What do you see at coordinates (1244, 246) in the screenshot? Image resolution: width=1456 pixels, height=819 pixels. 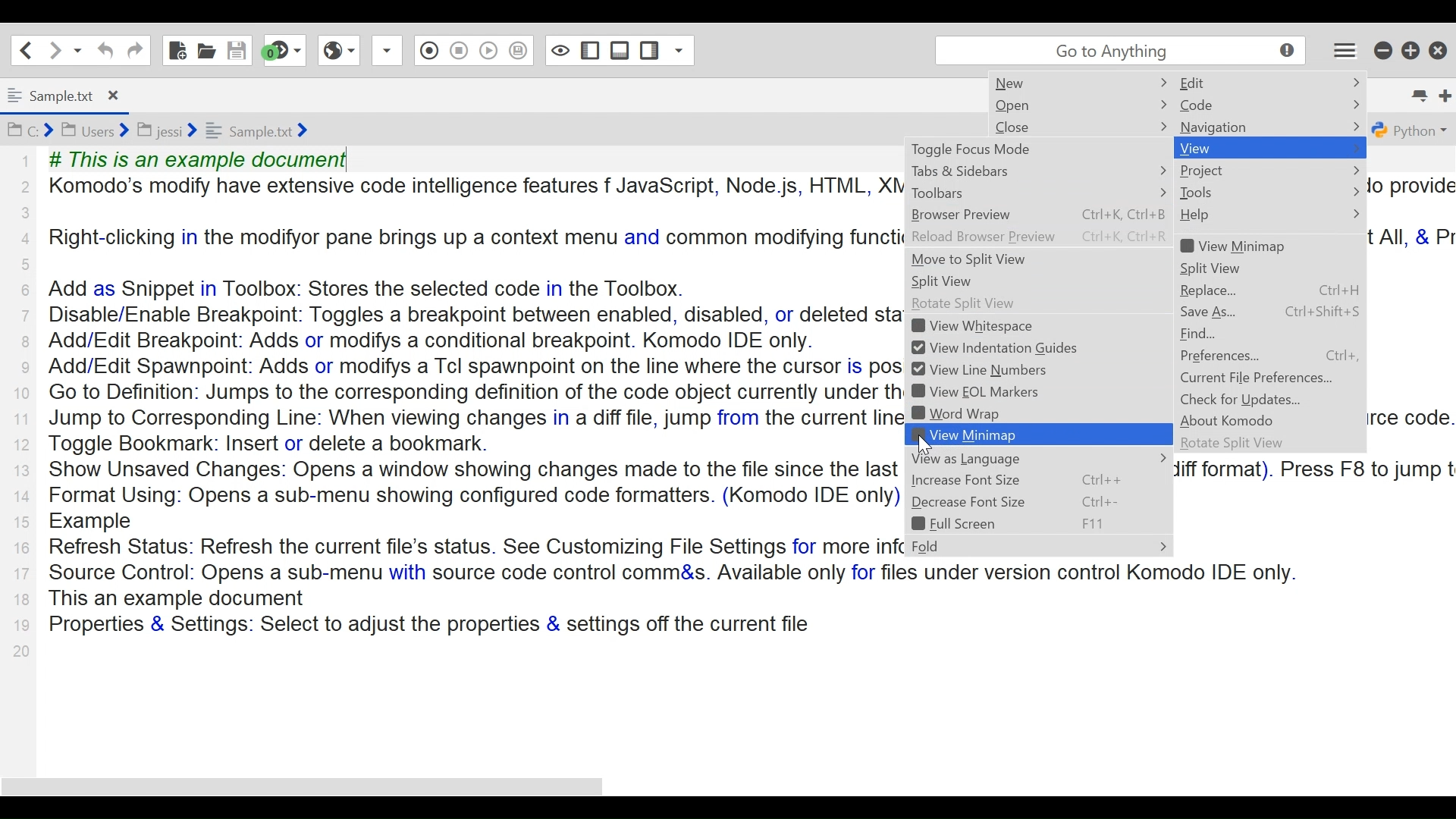 I see `View Minimap` at bounding box center [1244, 246].